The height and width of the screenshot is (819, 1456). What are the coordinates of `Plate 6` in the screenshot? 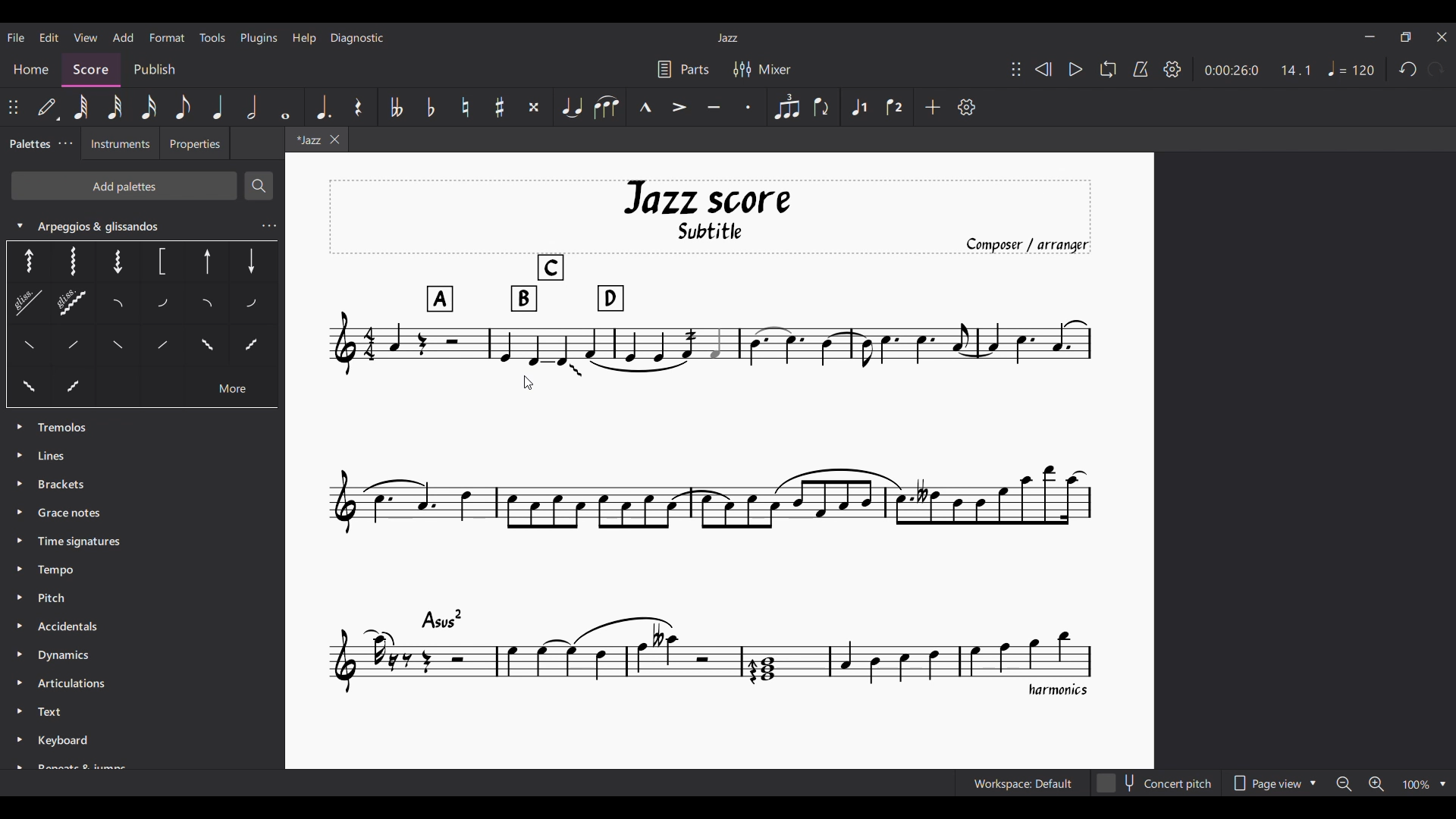 It's located at (250, 260).